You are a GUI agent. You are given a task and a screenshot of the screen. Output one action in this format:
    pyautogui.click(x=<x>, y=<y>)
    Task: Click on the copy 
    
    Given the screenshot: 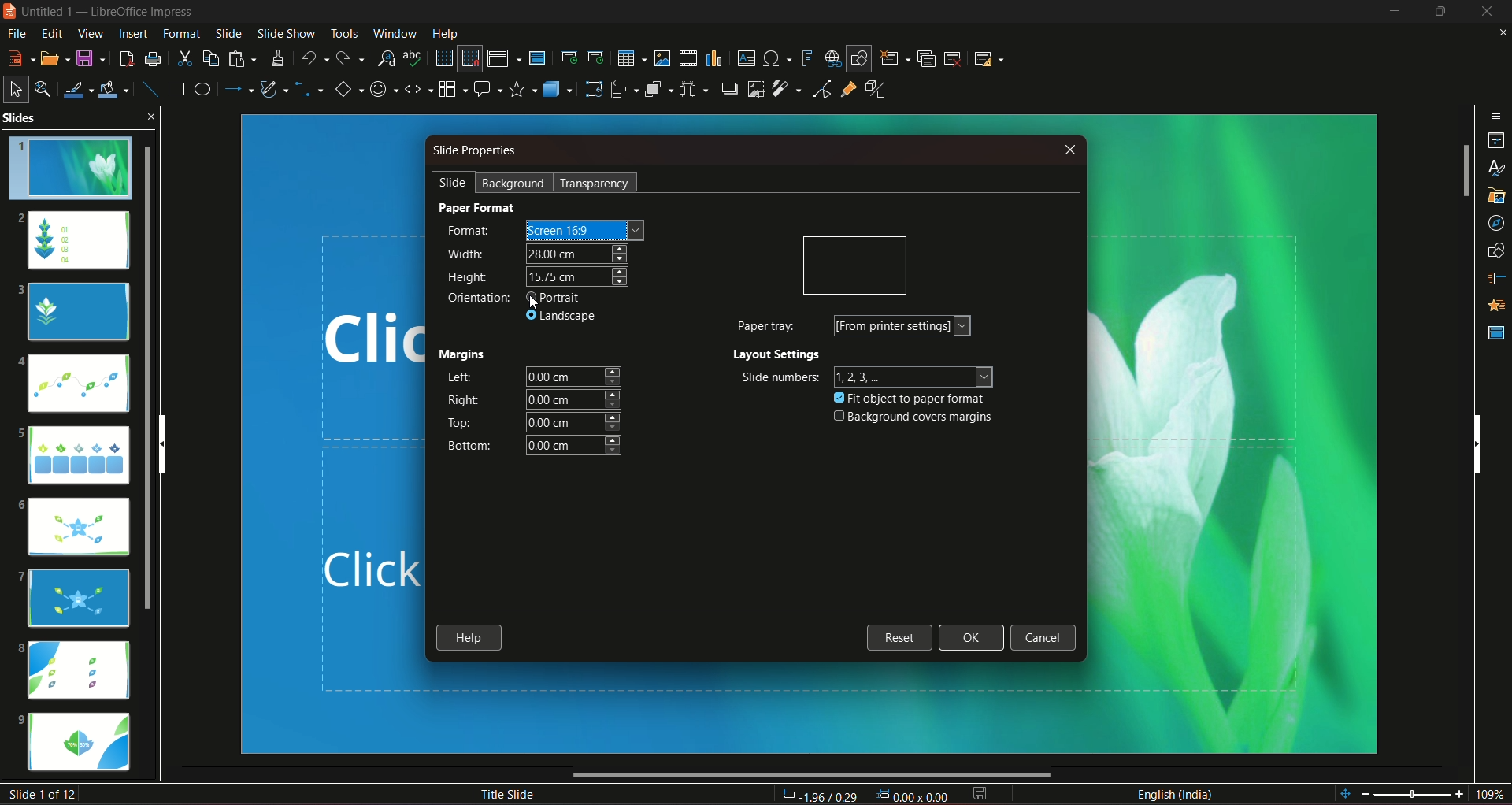 What is the action you would take?
    pyautogui.click(x=209, y=57)
    